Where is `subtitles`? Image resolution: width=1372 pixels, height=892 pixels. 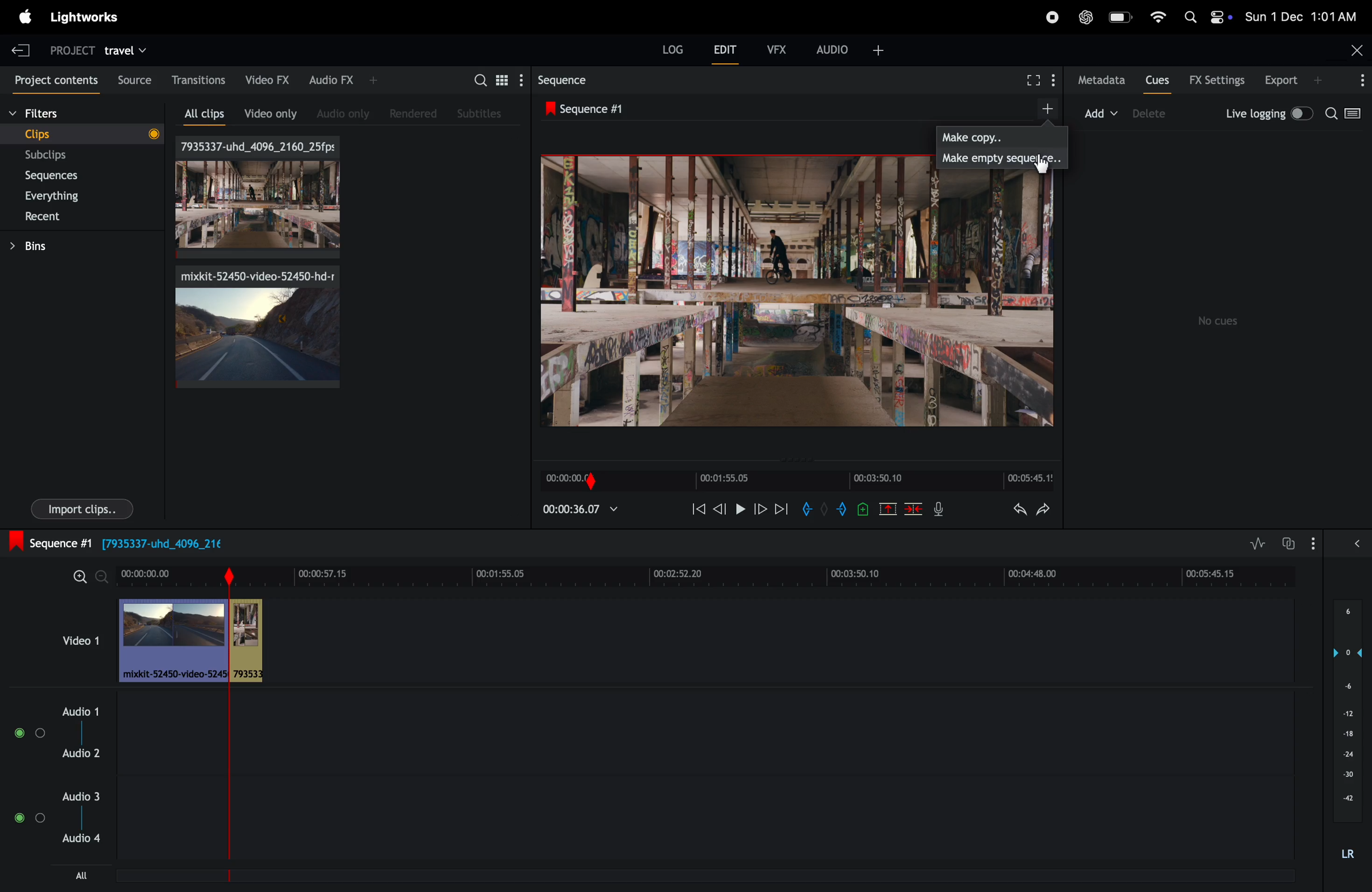 subtitles is located at coordinates (481, 114).